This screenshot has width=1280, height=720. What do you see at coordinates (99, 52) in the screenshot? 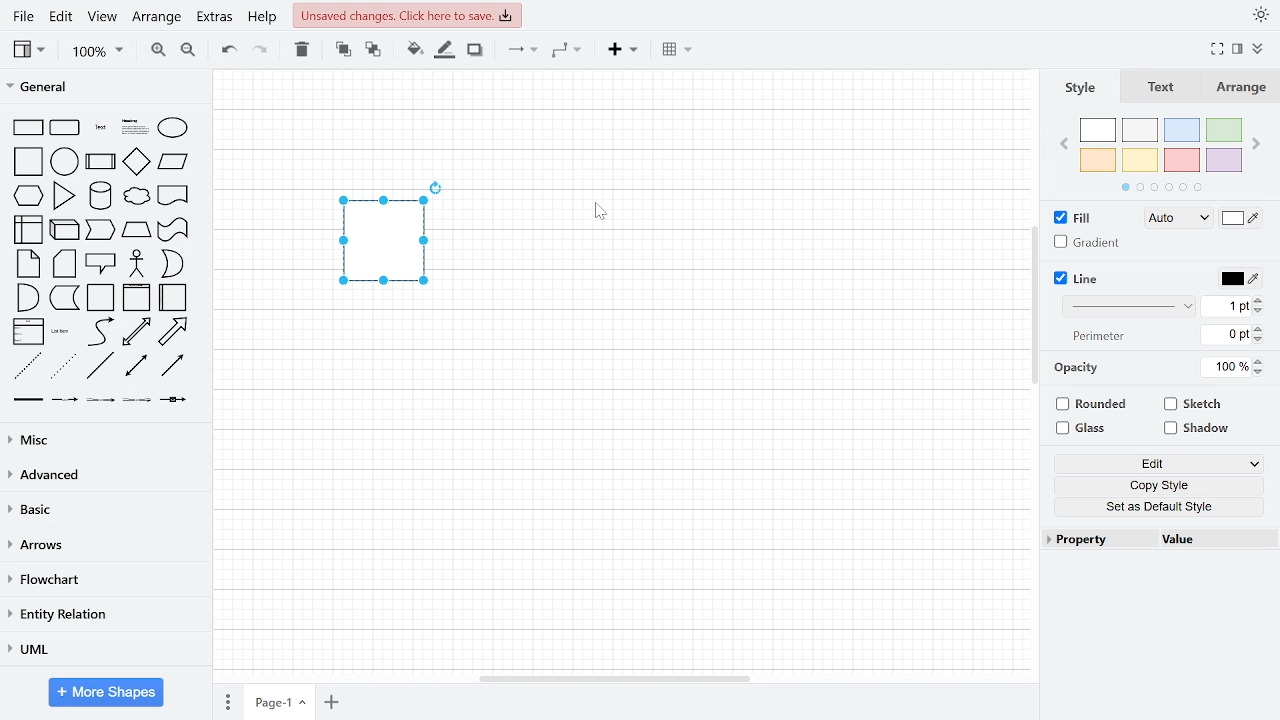
I see `zoom` at bounding box center [99, 52].